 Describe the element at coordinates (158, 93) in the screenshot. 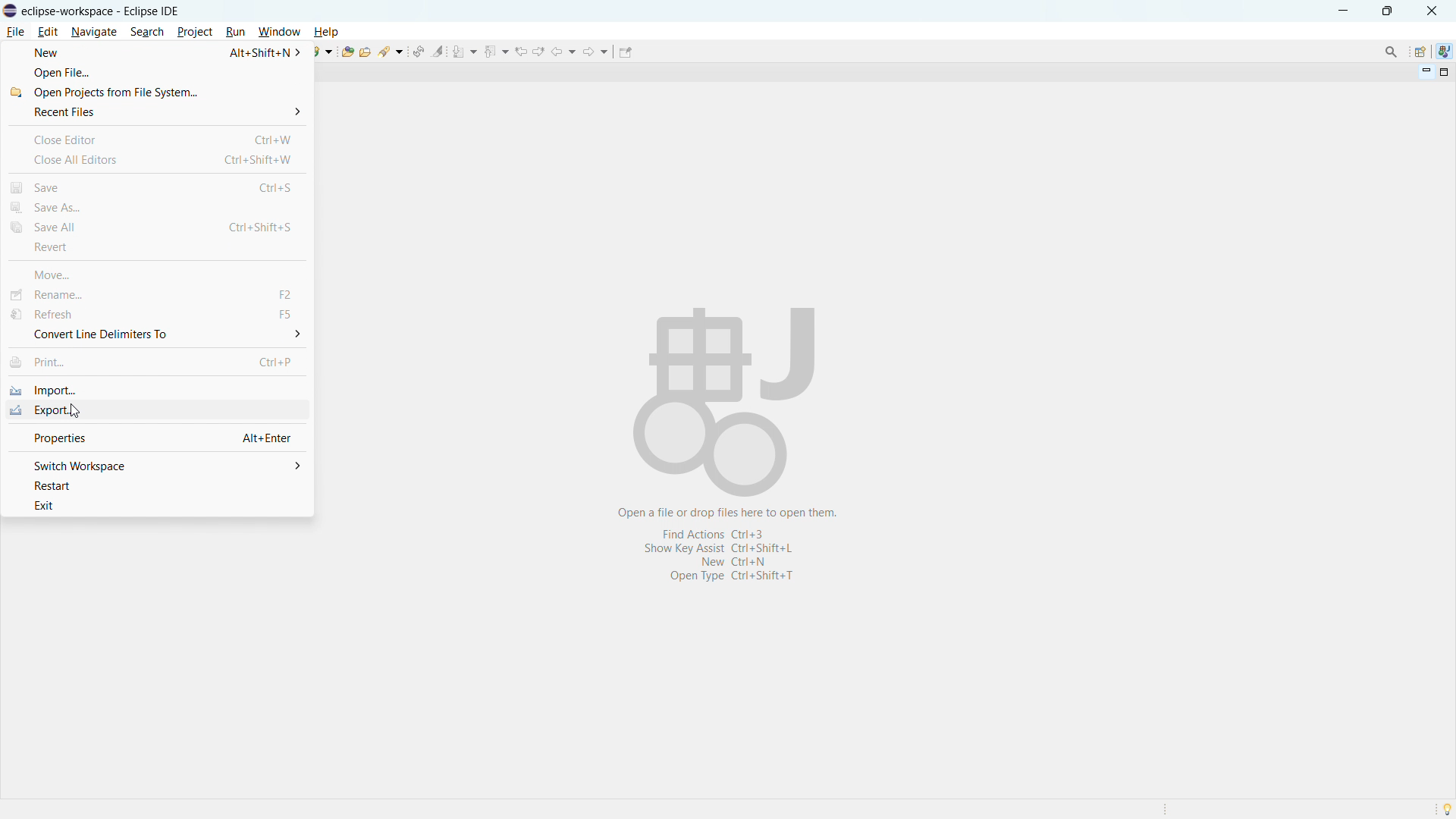

I see `open projects from file system` at that location.